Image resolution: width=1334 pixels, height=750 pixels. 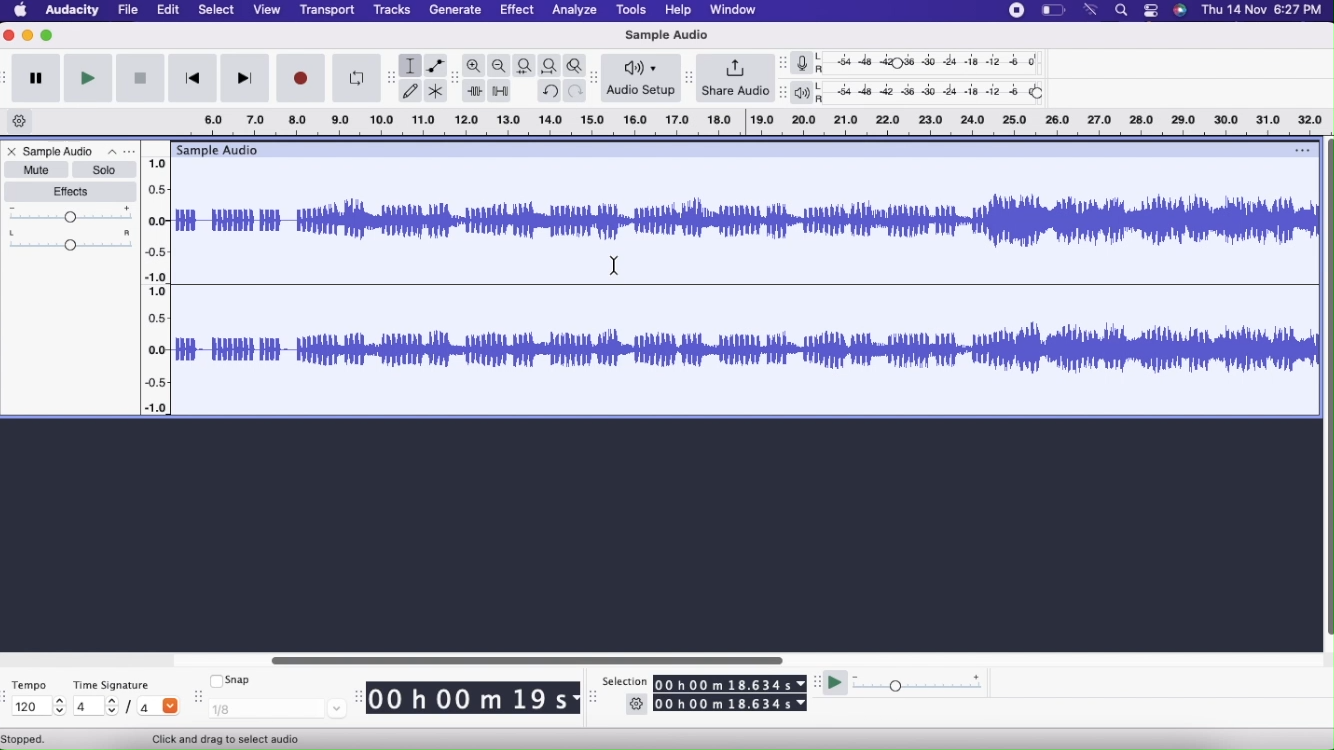 What do you see at coordinates (731, 683) in the screenshot?
I see `00 h 00 m 18.634 s` at bounding box center [731, 683].